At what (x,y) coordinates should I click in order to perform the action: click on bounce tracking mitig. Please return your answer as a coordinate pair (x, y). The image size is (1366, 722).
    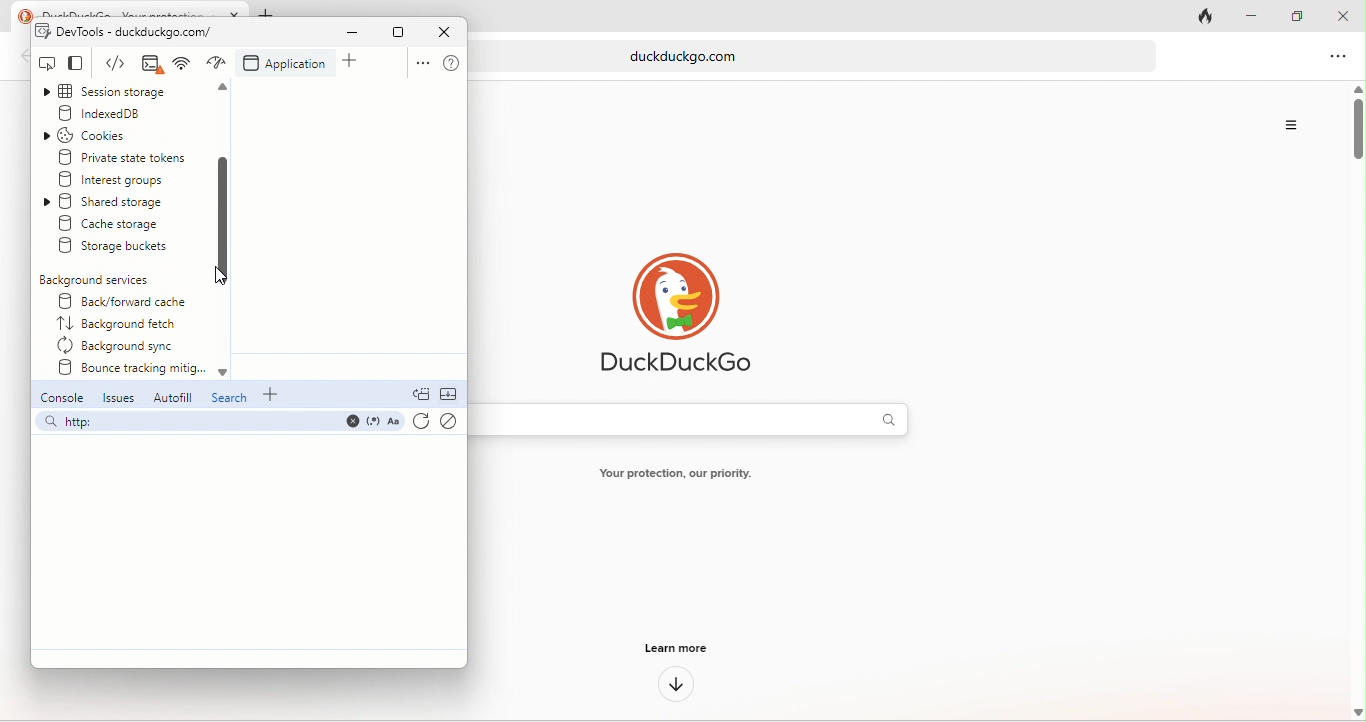
    Looking at the image, I should click on (128, 371).